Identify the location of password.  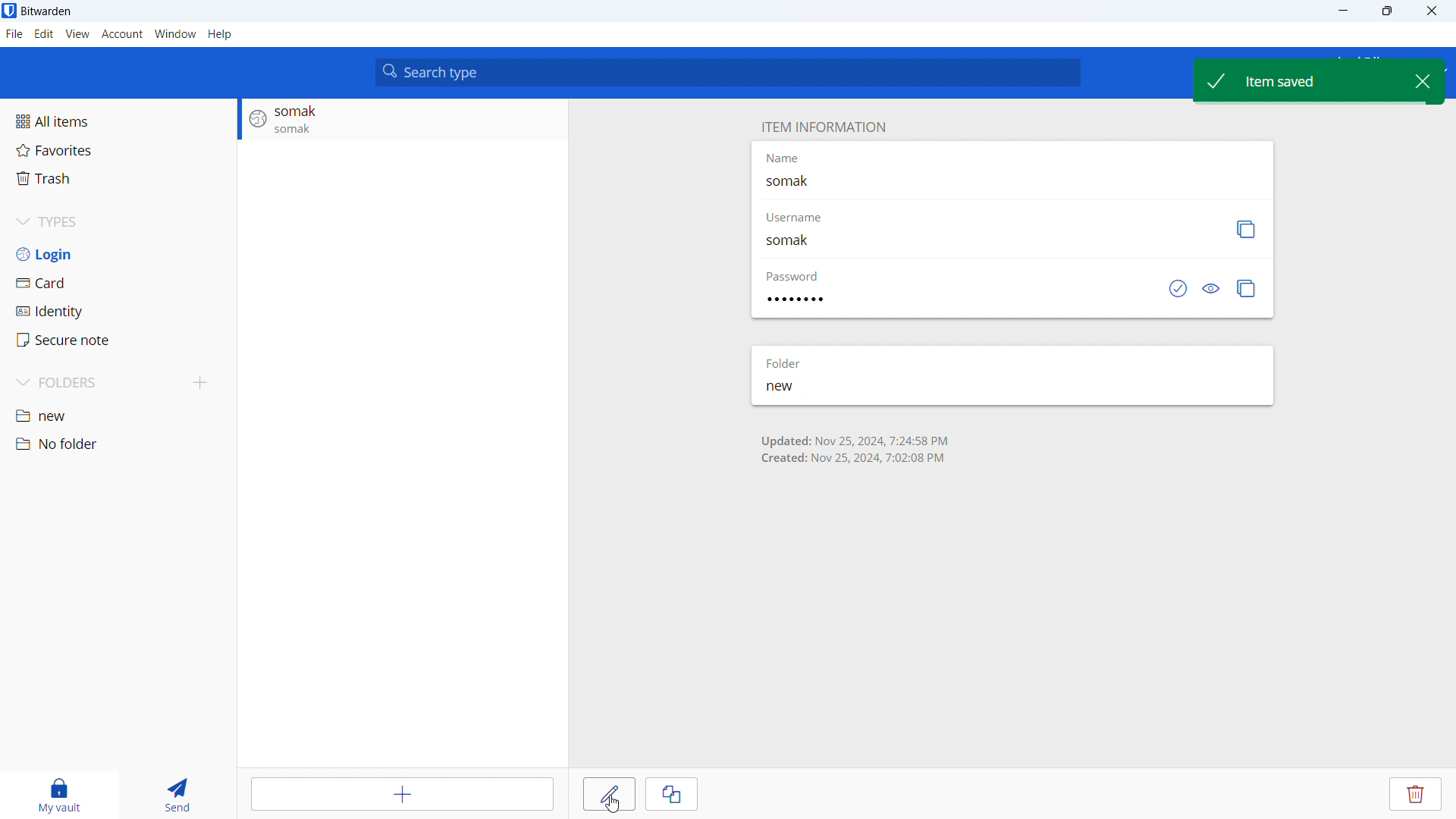
(795, 276).